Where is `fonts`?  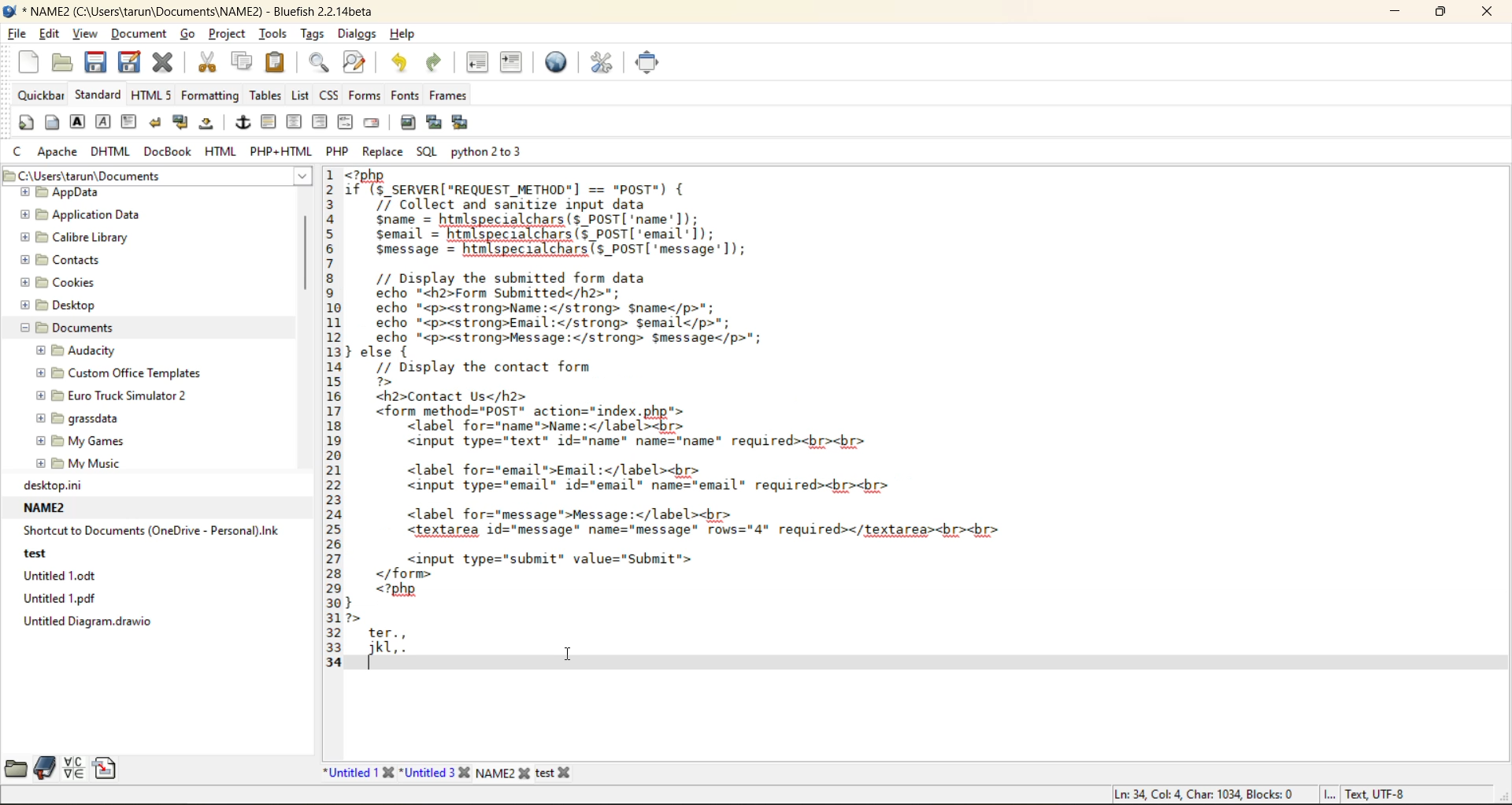 fonts is located at coordinates (406, 96).